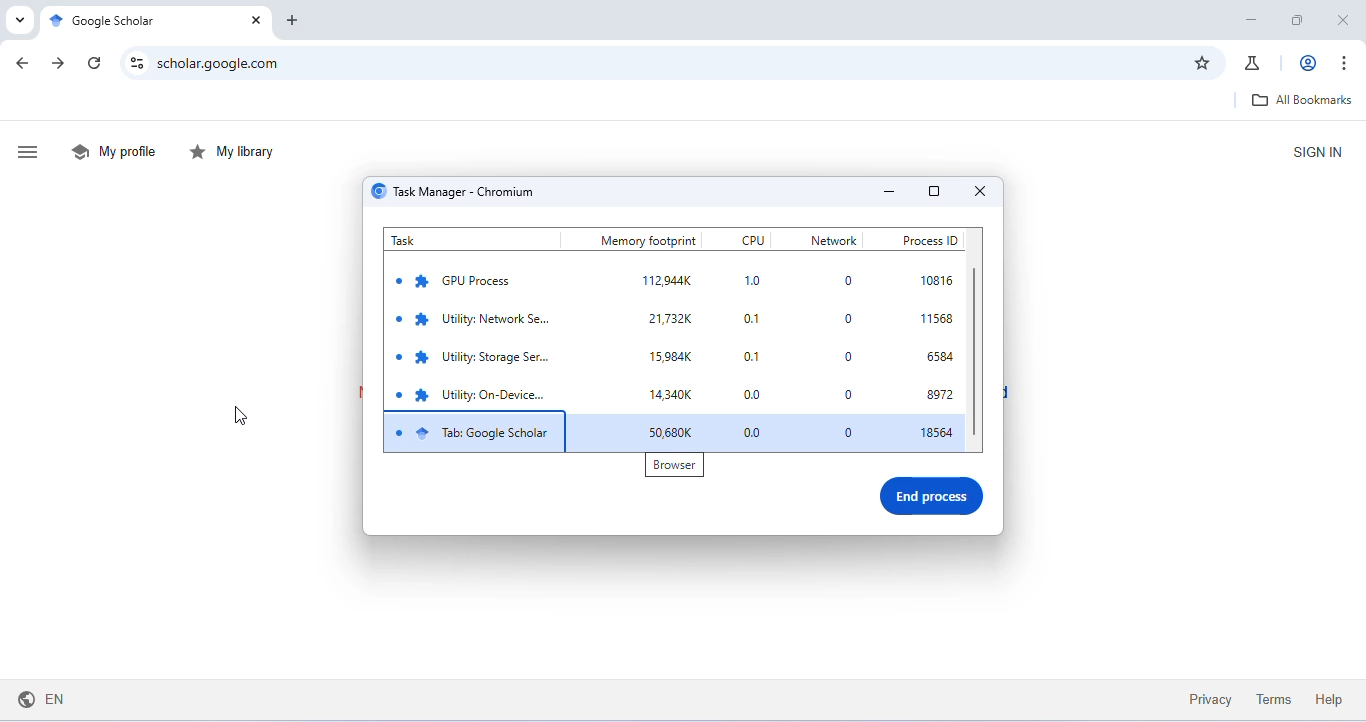  Describe the element at coordinates (927, 239) in the screenshot. I see `process ID` at that location.